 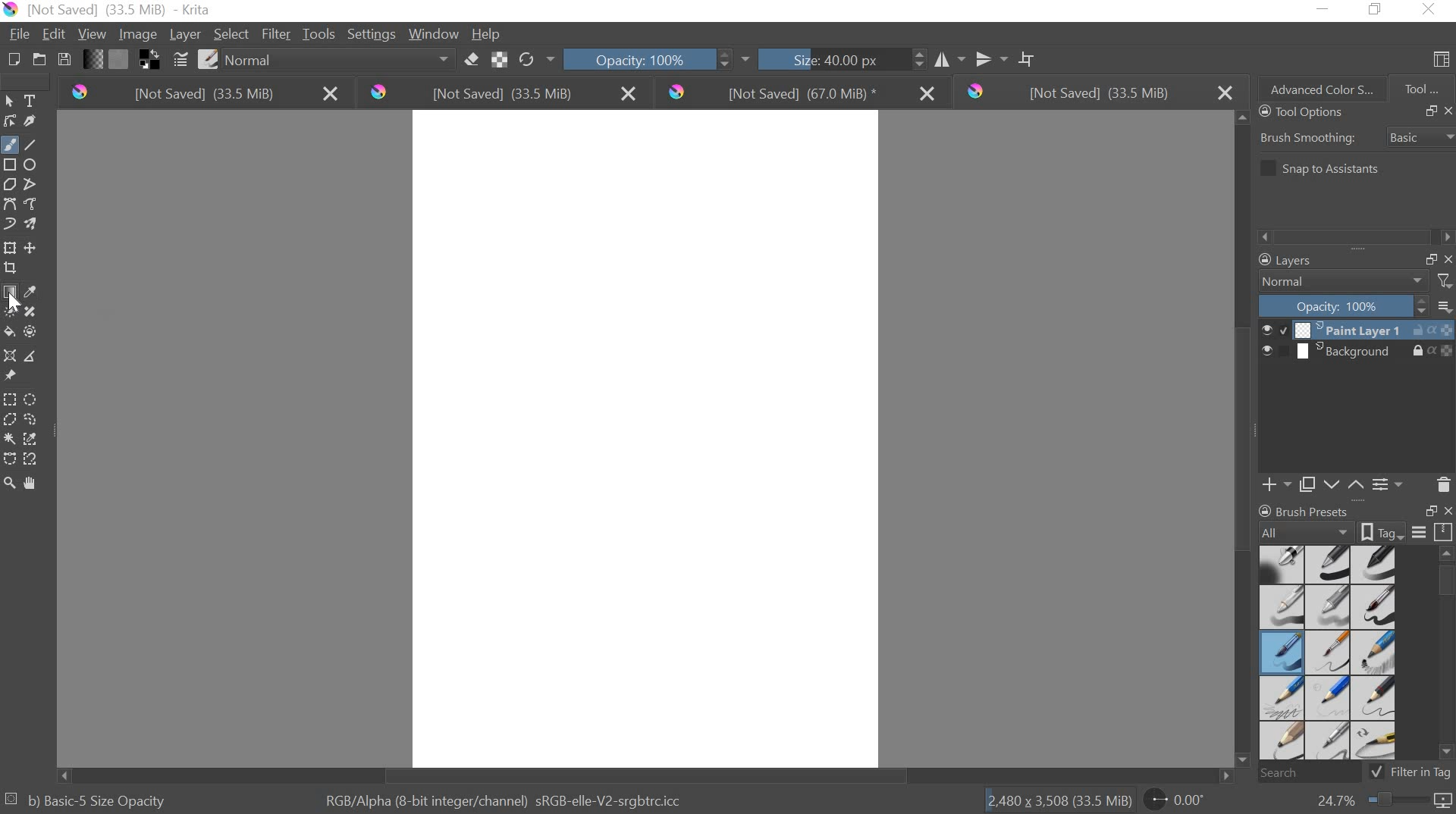 What do you see at coordinates (35, 205) in the screenshot?
I see `freehand path tool` at bounding box center [35, 205].